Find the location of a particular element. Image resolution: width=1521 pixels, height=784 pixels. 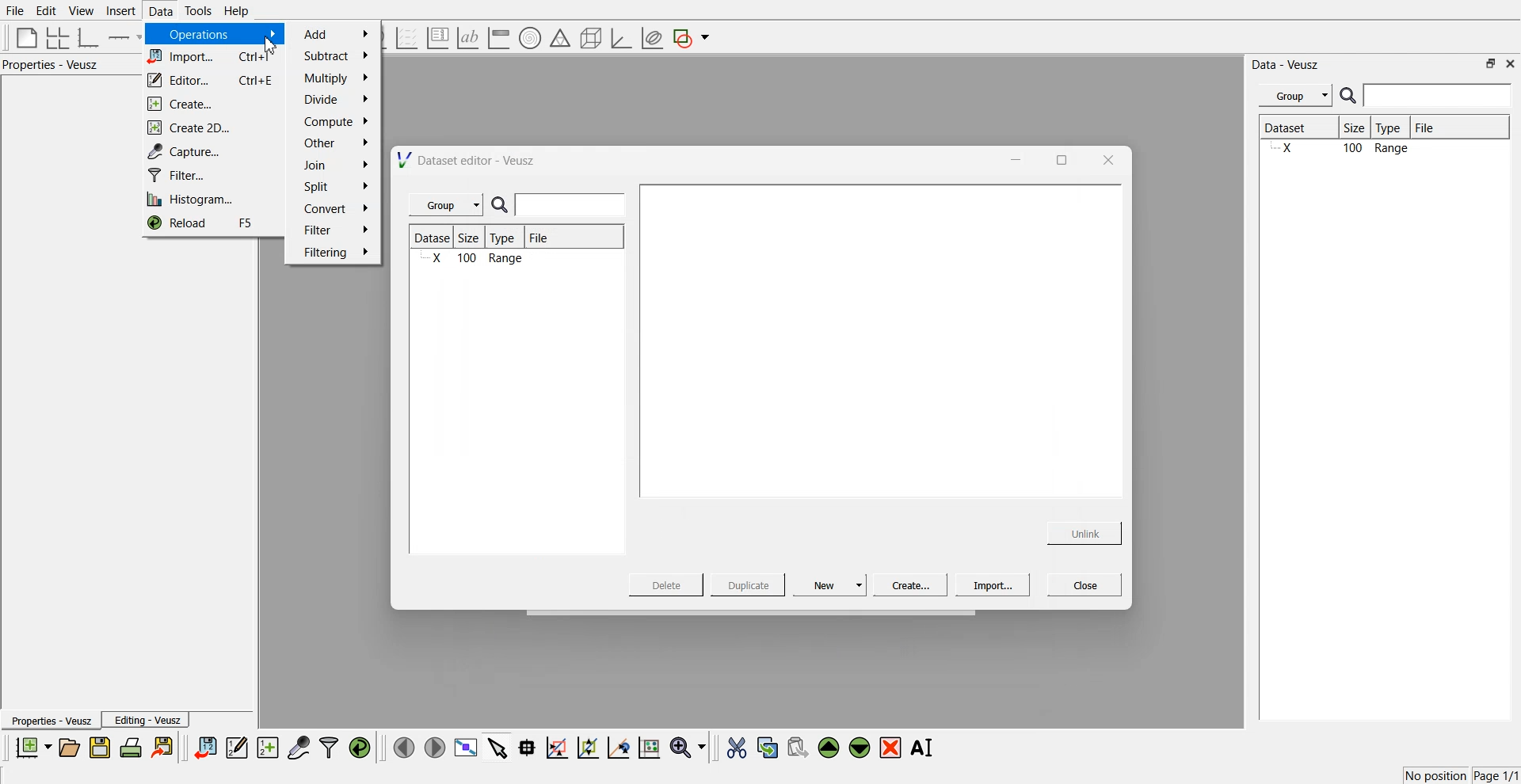

close is located at coordinates (1511, 63).